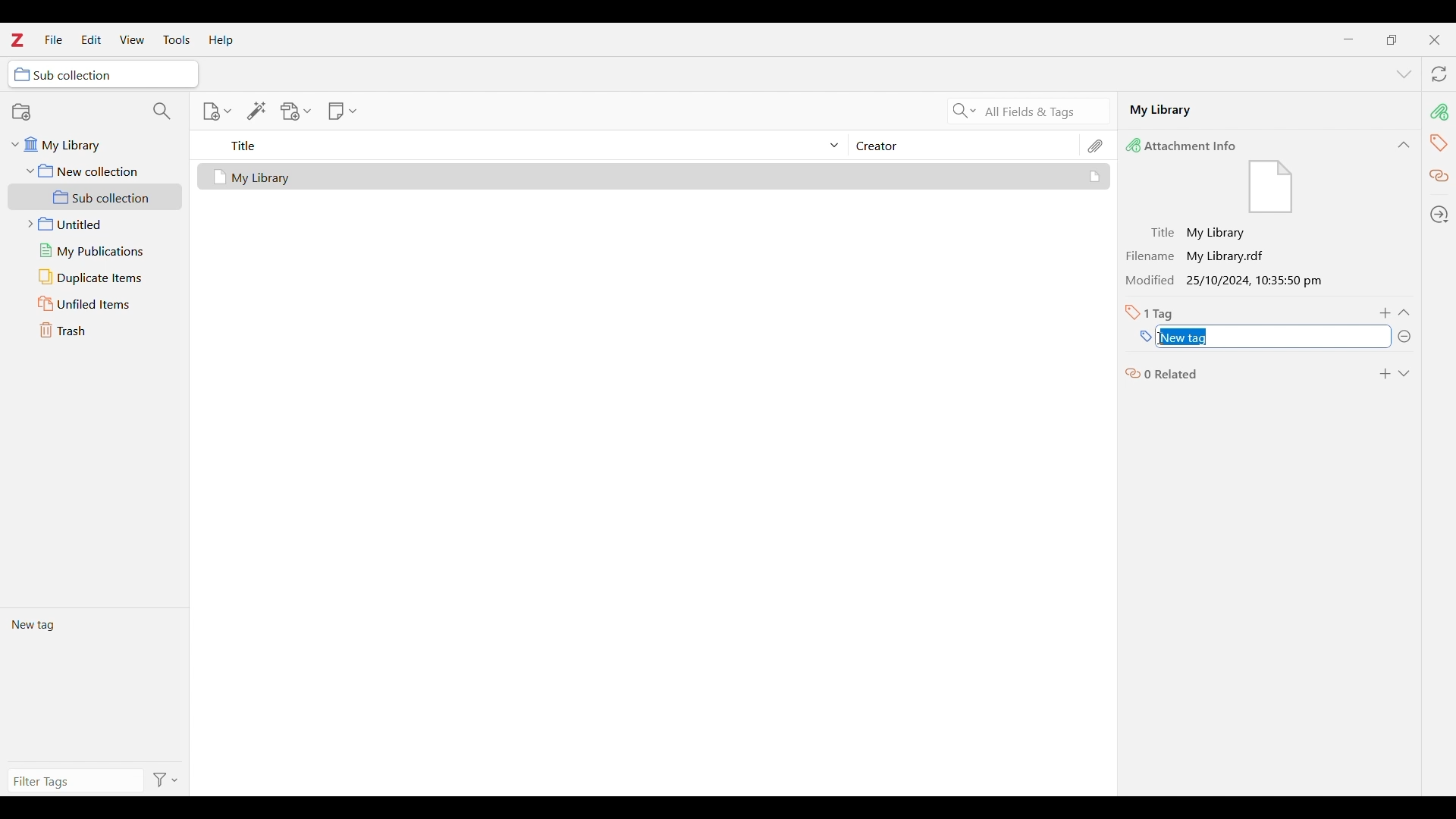 The width and height of the screenshot is (1456, 819). I want to click on Edit menu, so click(91, 39).